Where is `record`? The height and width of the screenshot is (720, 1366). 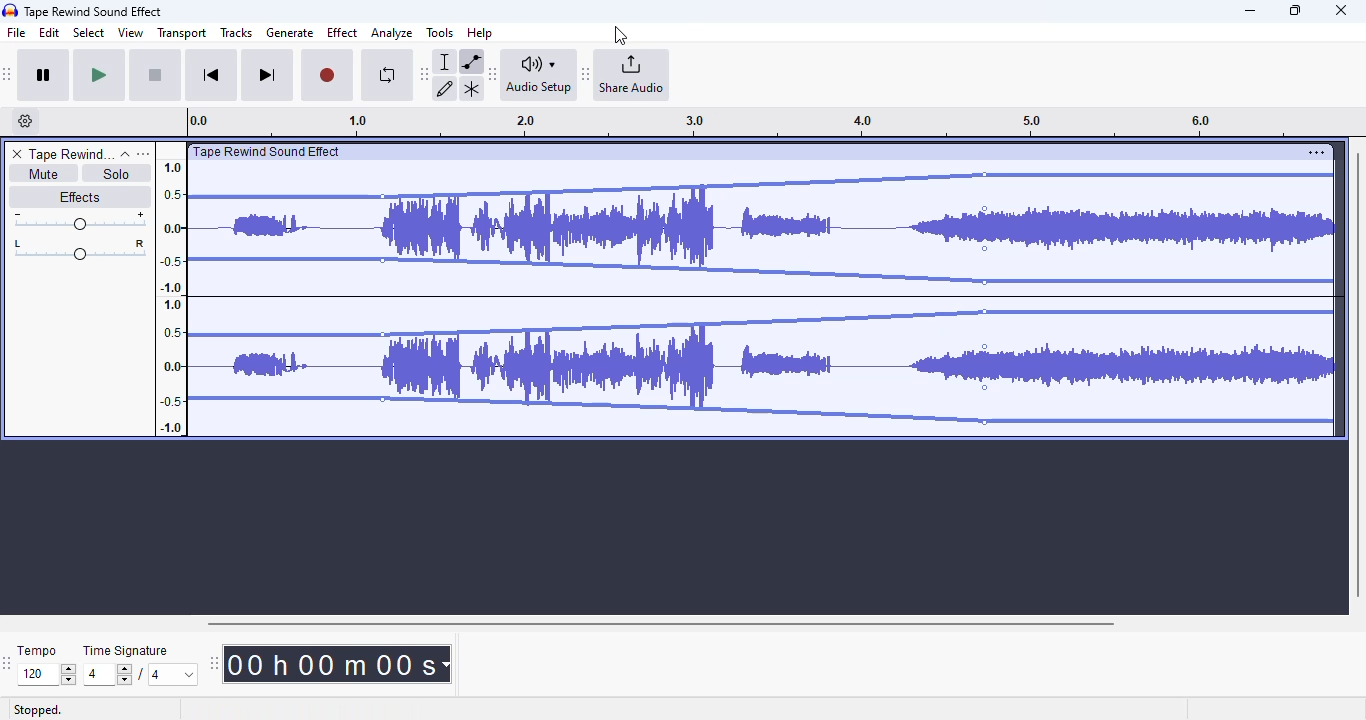 record is located at coordinates (327, 76).